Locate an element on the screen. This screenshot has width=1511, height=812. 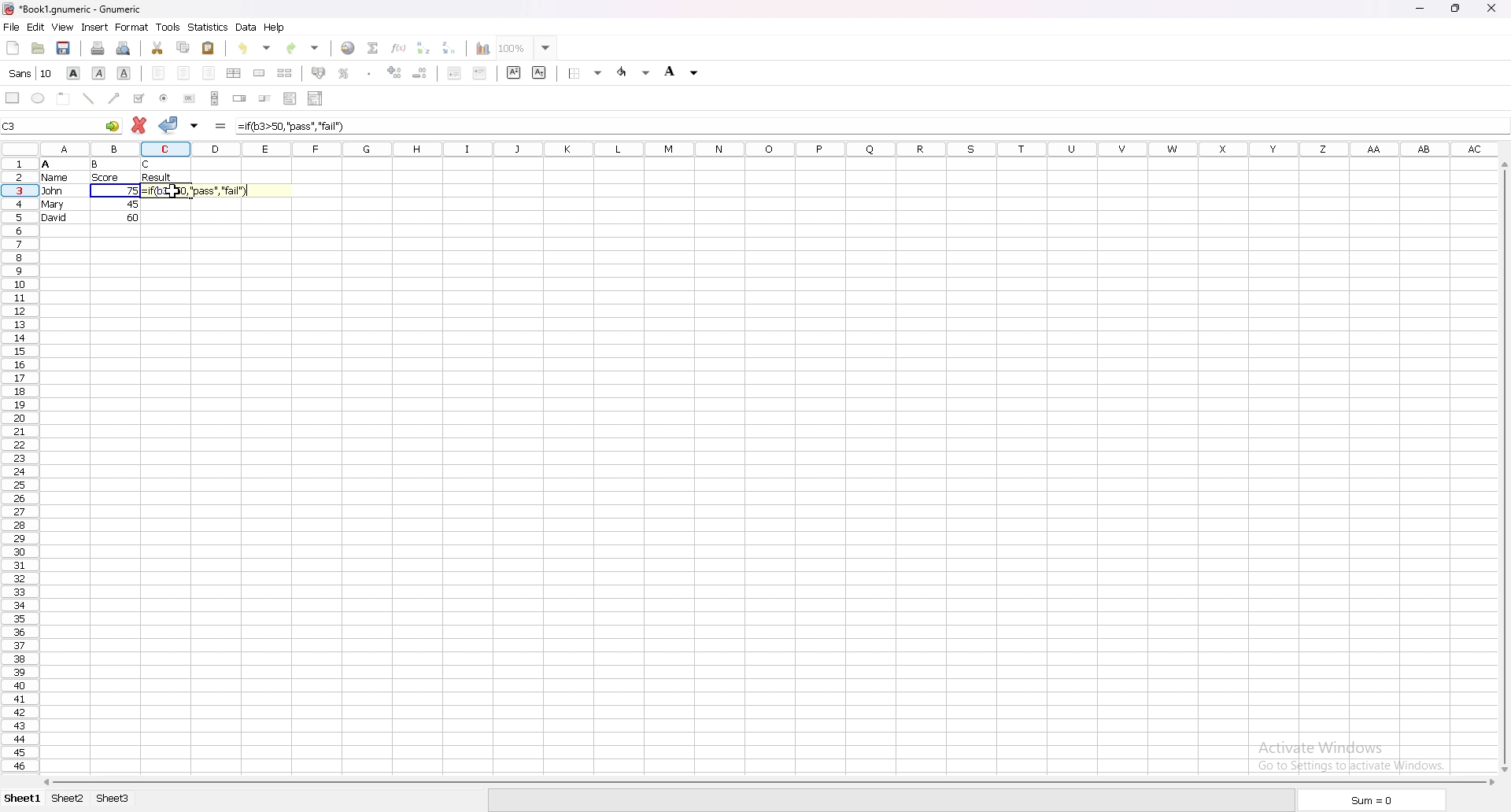
mary is located at coordinates (53, 205).